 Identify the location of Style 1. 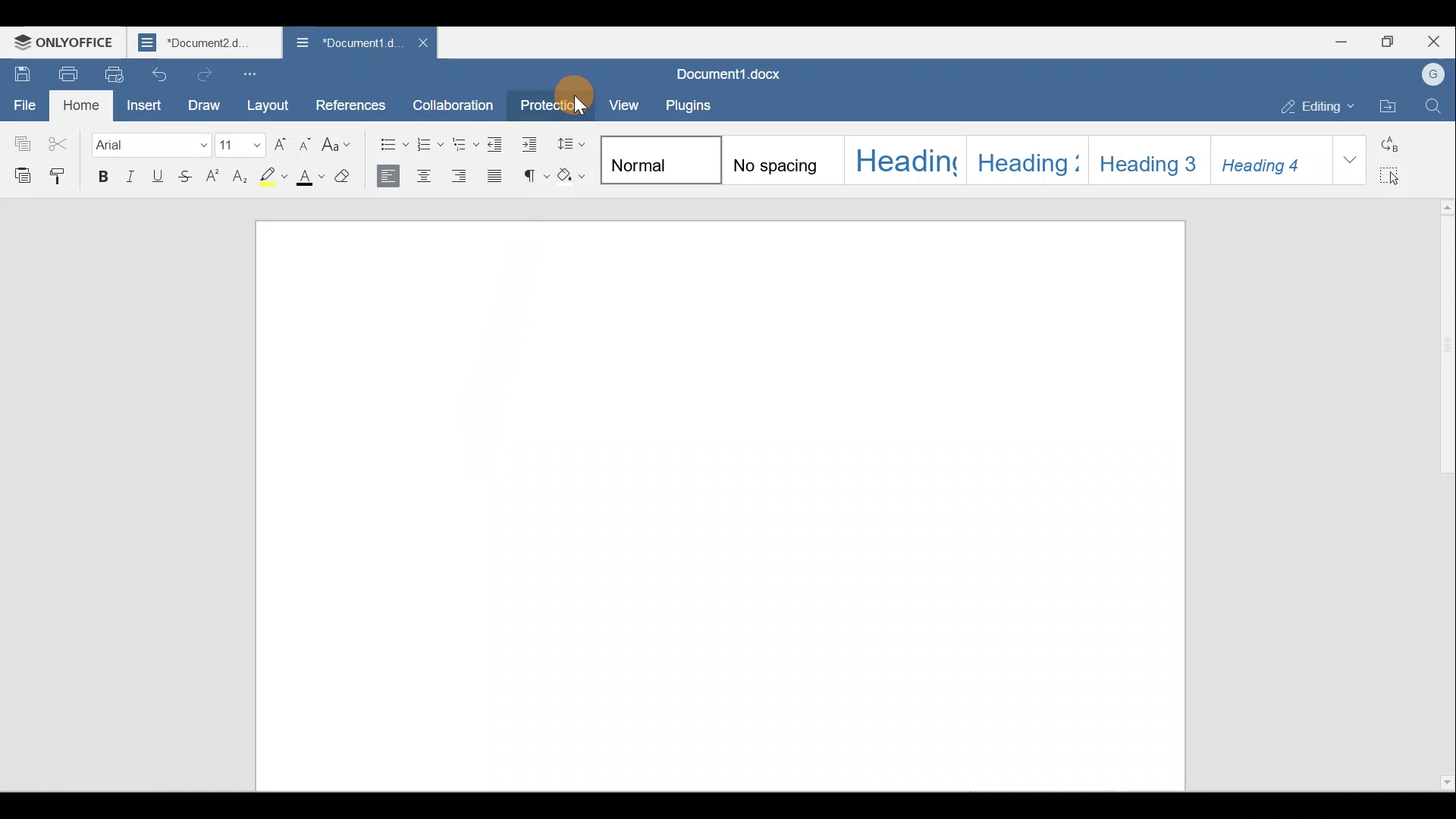
(661, 158).